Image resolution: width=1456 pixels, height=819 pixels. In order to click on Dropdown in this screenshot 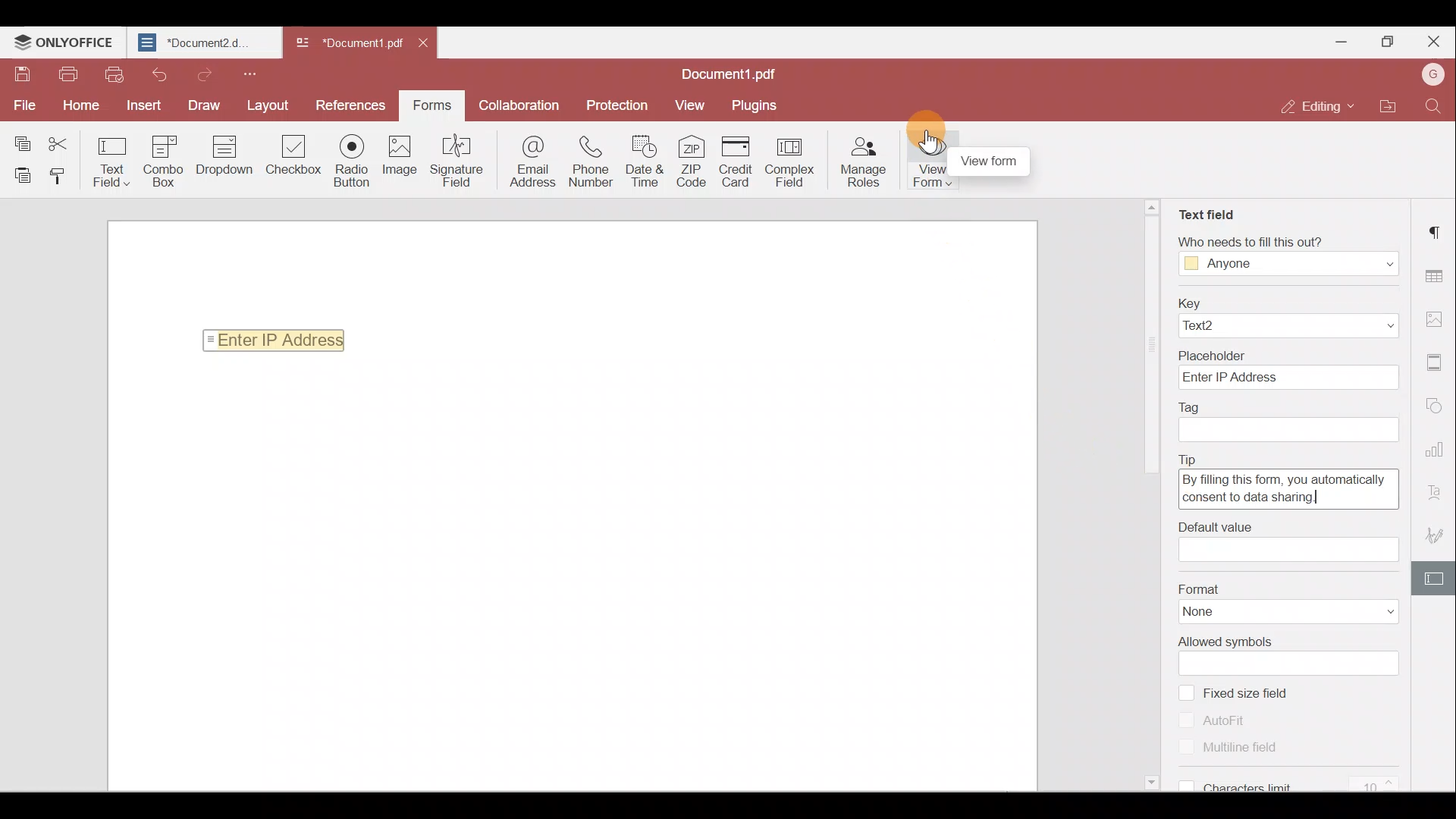, I will do `click(1373, 262)`.